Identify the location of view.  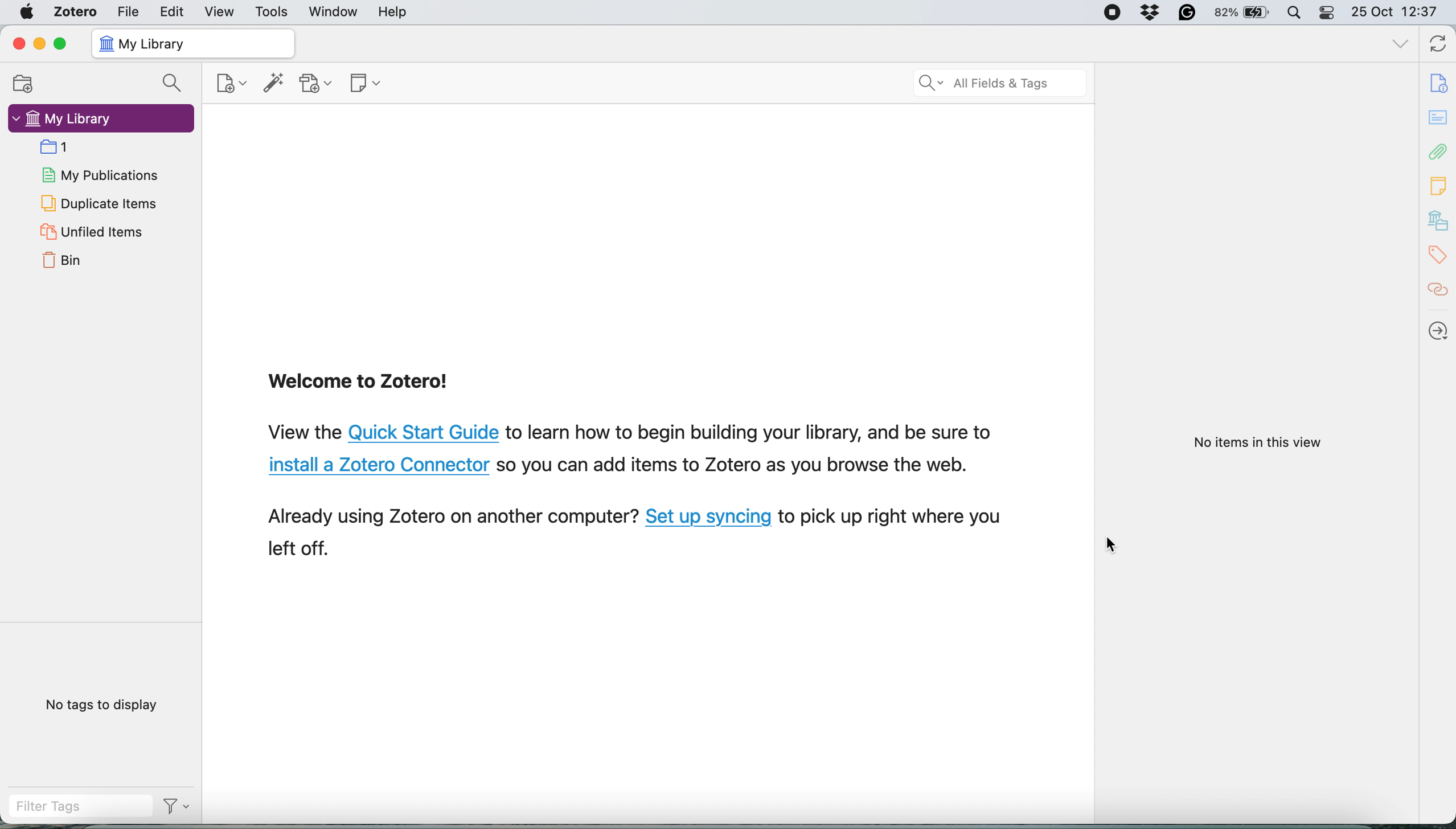
(220, 11).